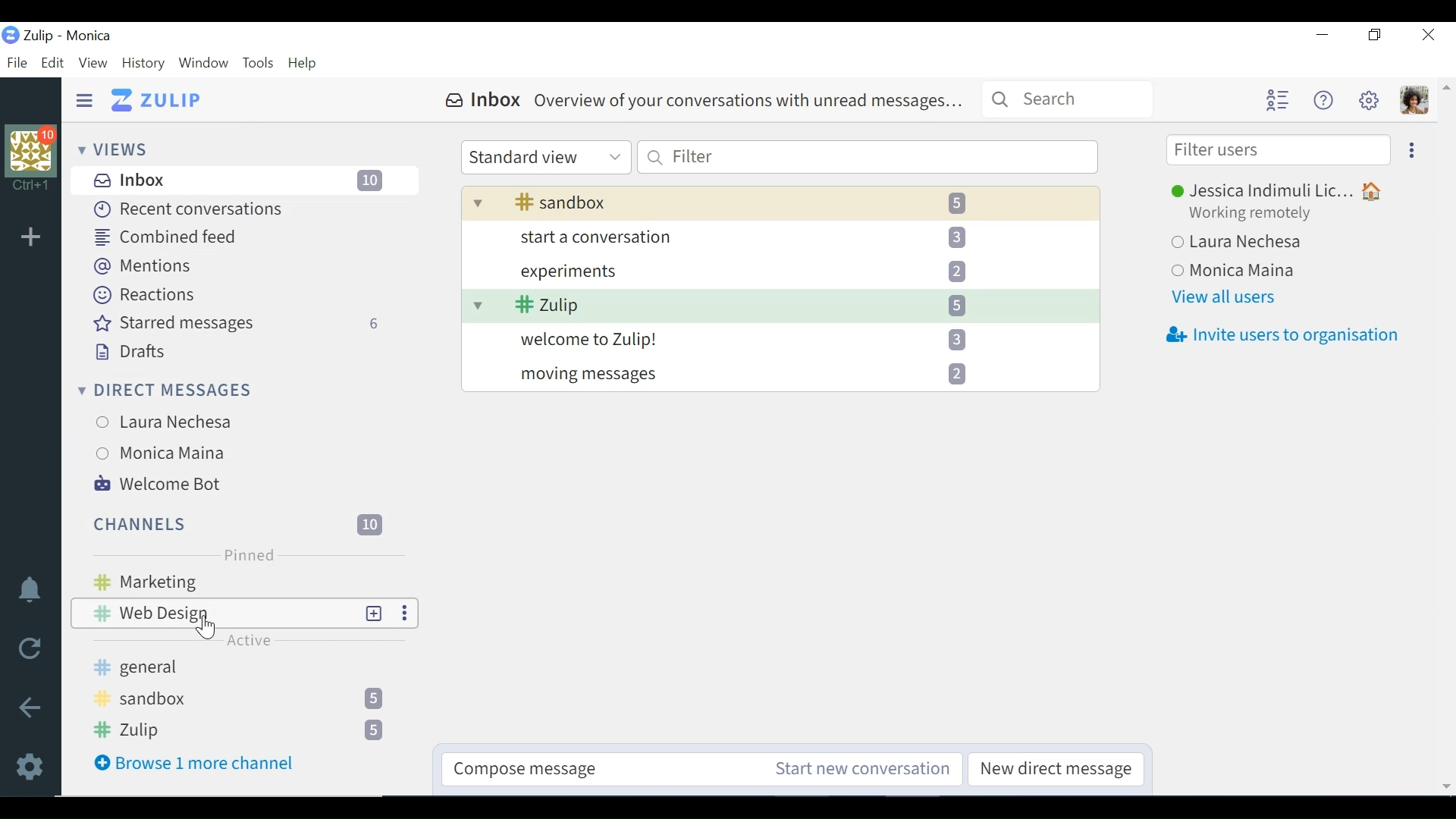 This screenshot has height=819, width=1456. What do you see at coordinates (10, 35) in the screenshot?
I see `Zulip logo` at bounding box center [10, 35].